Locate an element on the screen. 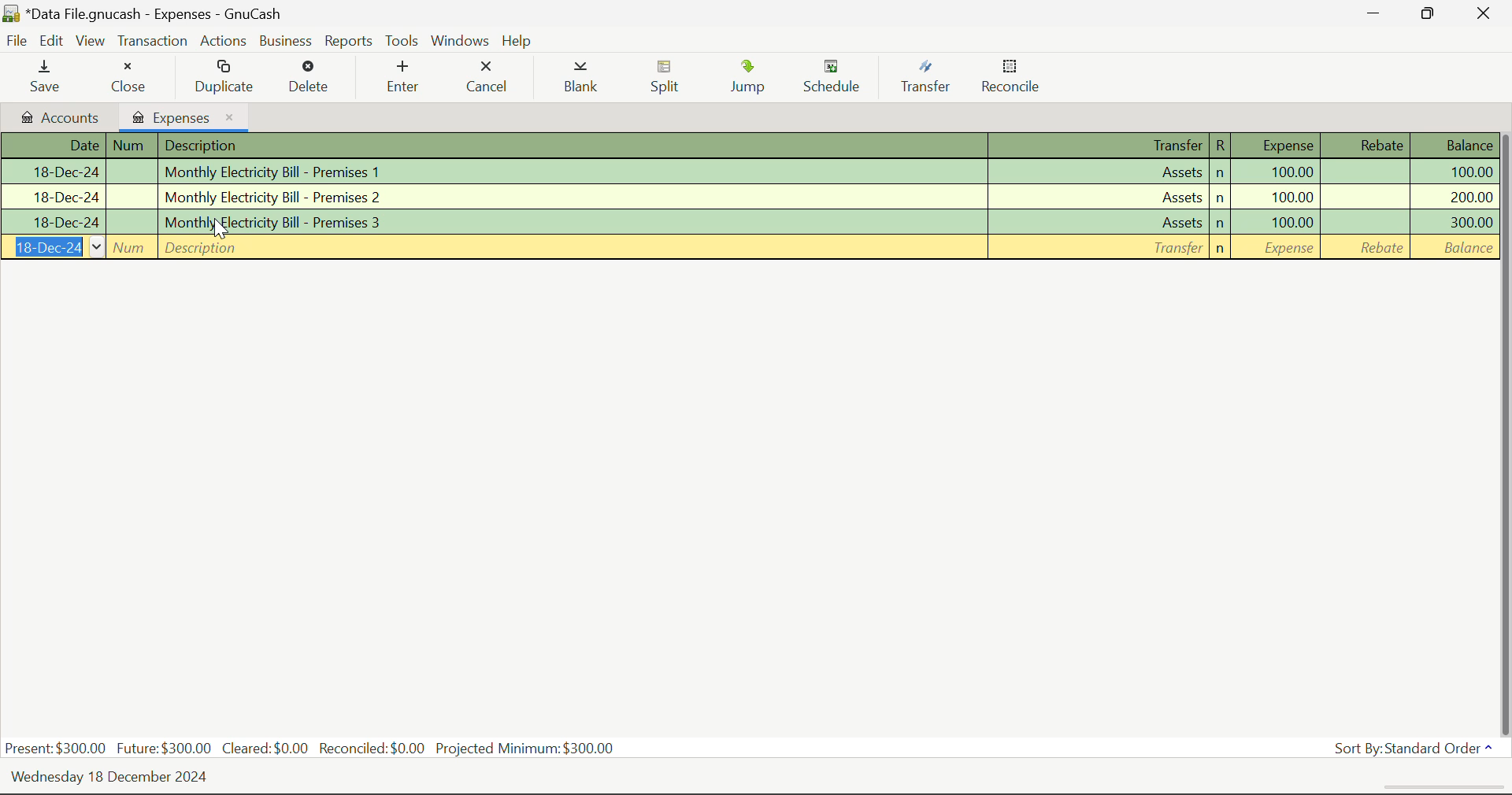 The width and height of the screenshot is (1512, 795). Edit is located at coordinates (54, 42).